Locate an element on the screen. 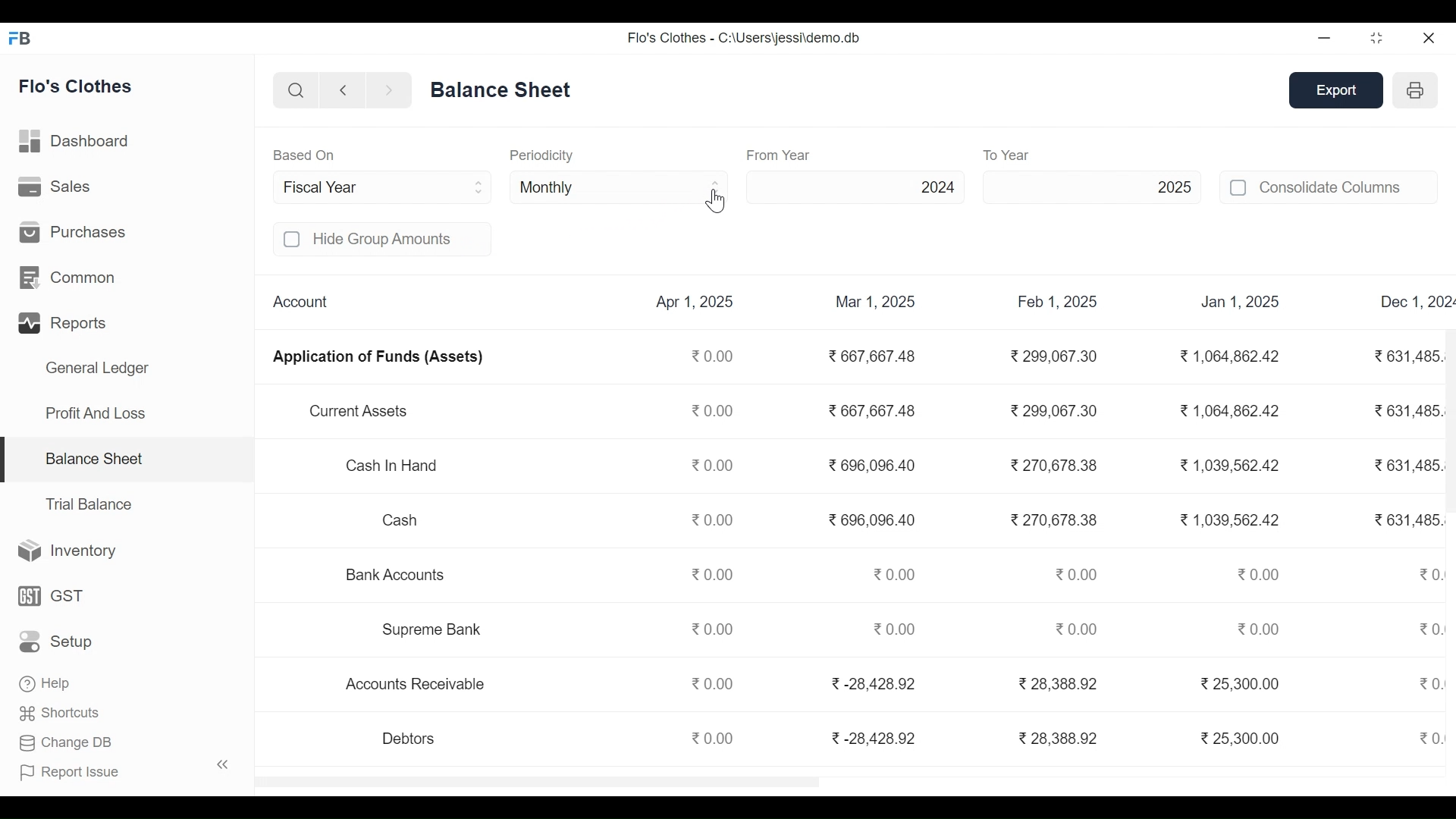  Consolidate Columns is located at coordinates (1348, 187).